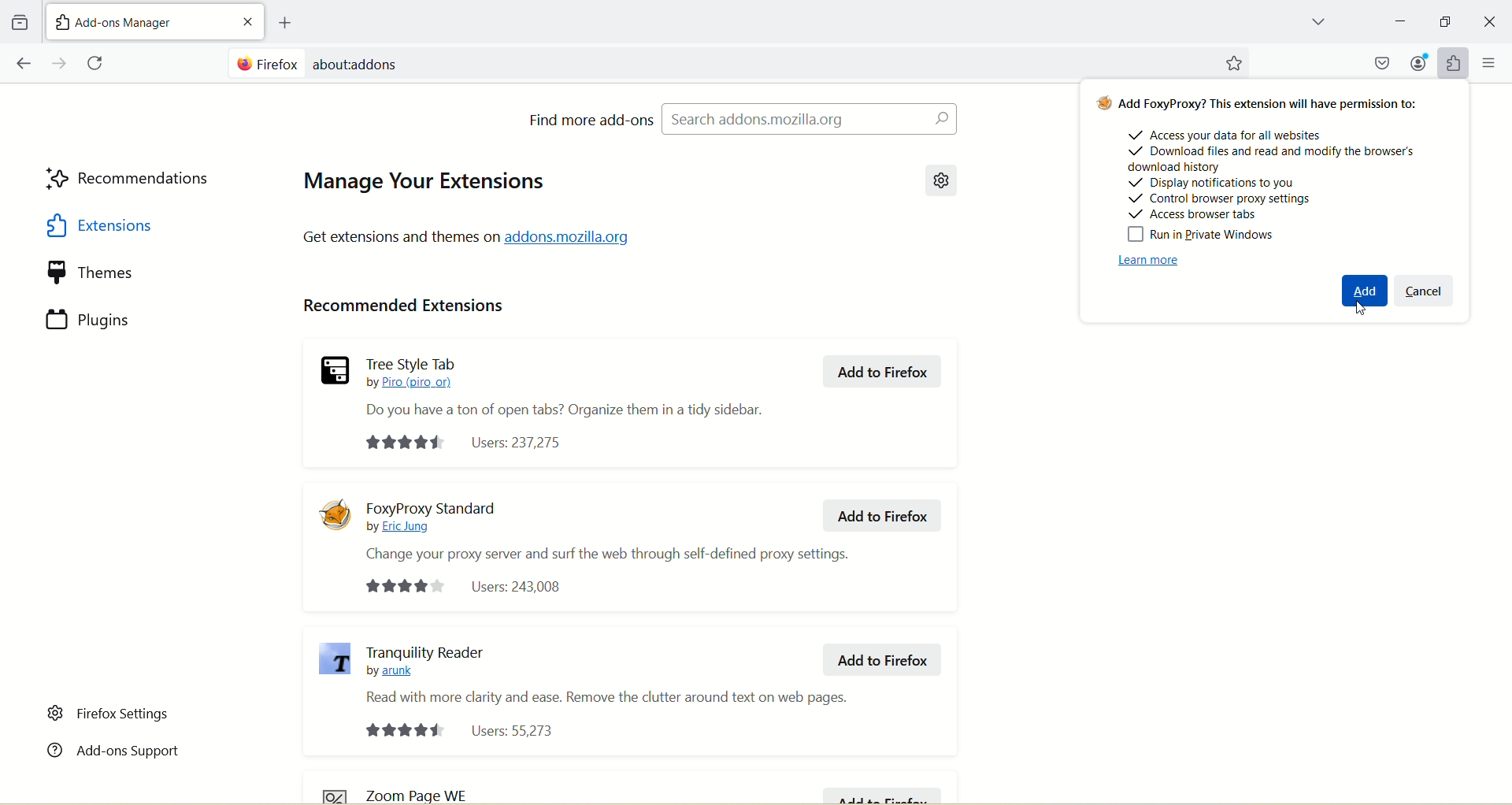 The height and width of the screenshot is (805, 1512). Describe the element at coordinates (1206, 233) in the screenshot. I see `Run in Private Windows` at that location.